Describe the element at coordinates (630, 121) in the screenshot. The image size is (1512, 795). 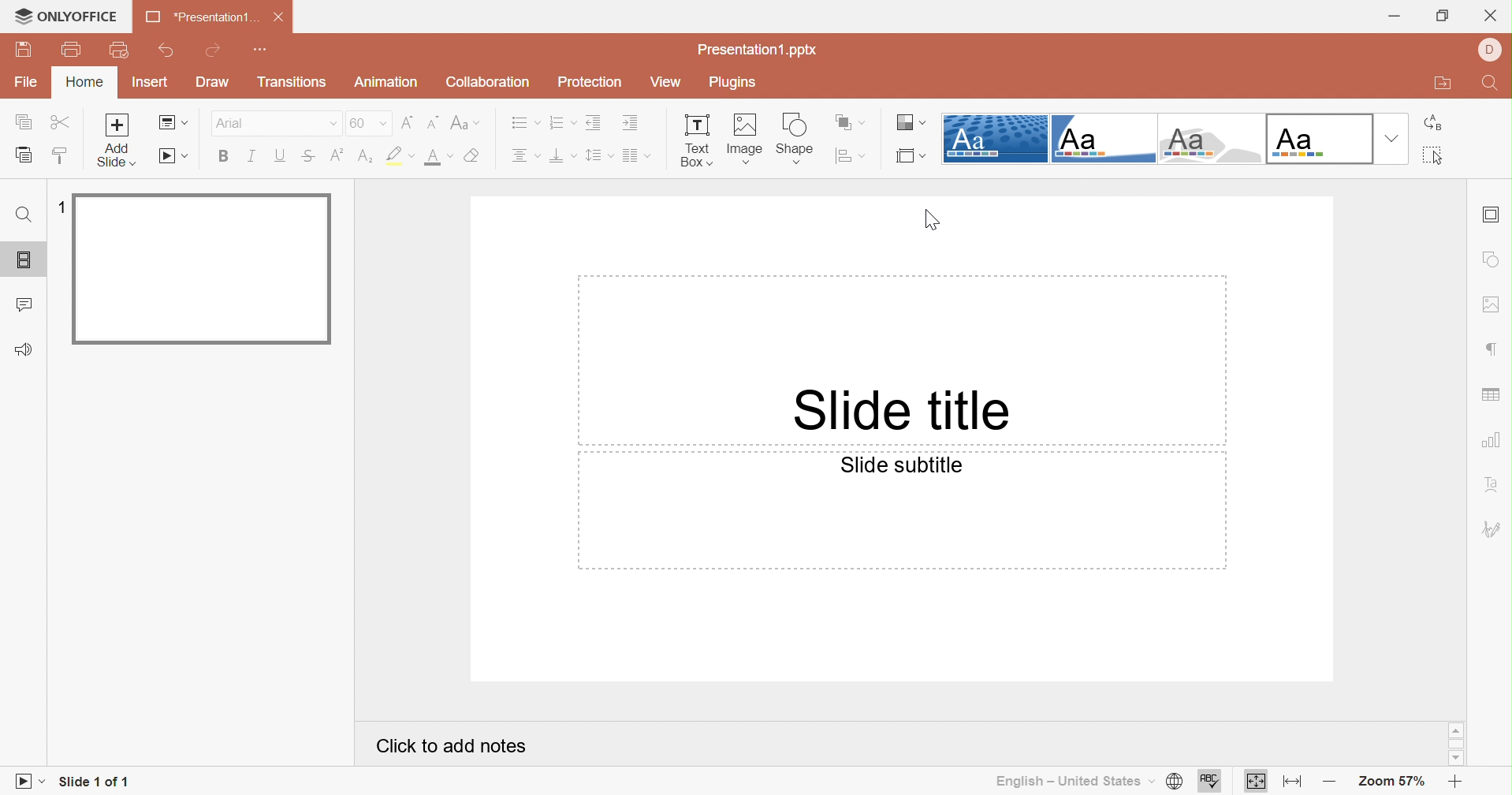
I see `Increase indent` at that location.